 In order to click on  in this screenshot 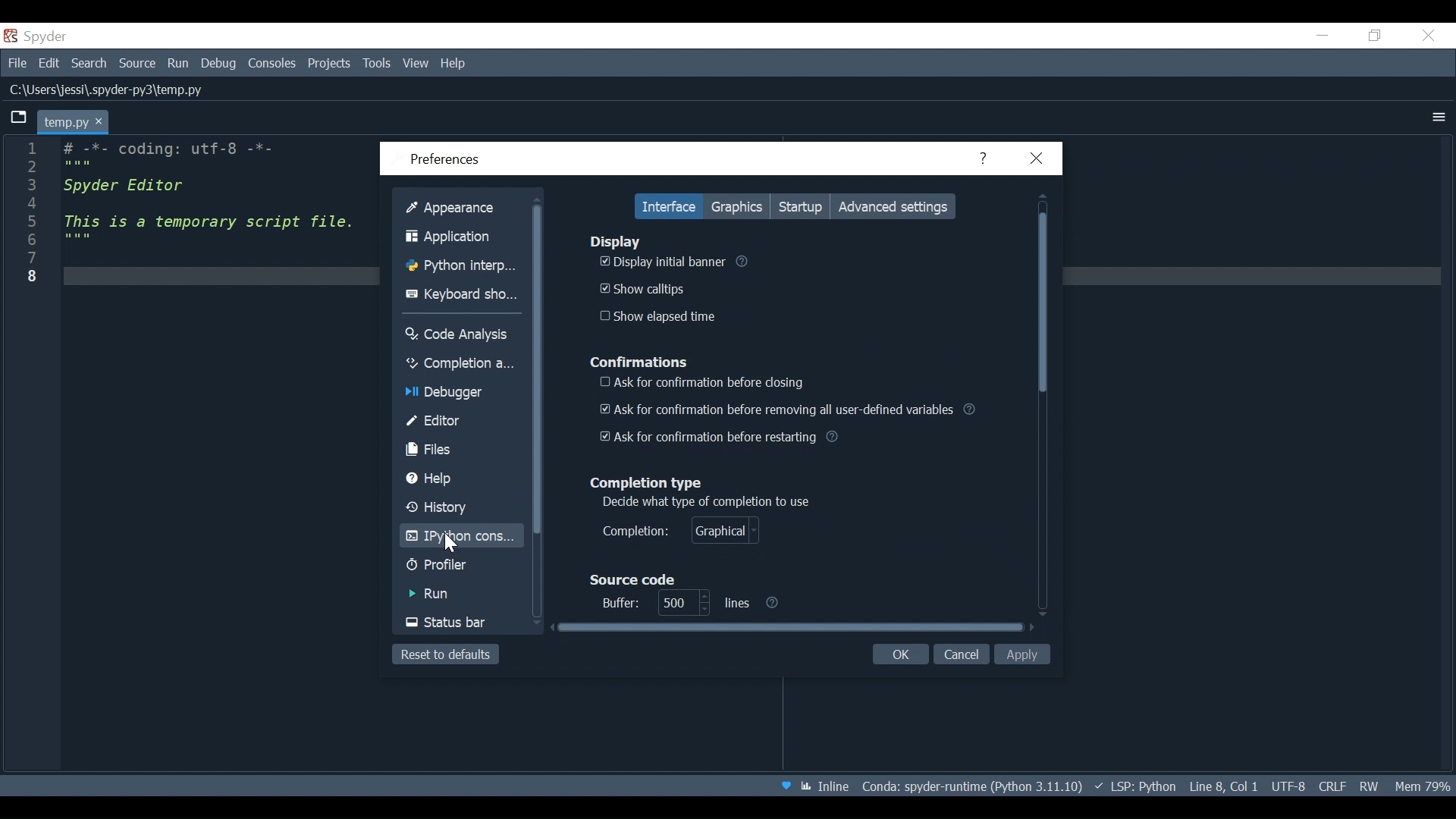, I will do `click(26, 231)`.